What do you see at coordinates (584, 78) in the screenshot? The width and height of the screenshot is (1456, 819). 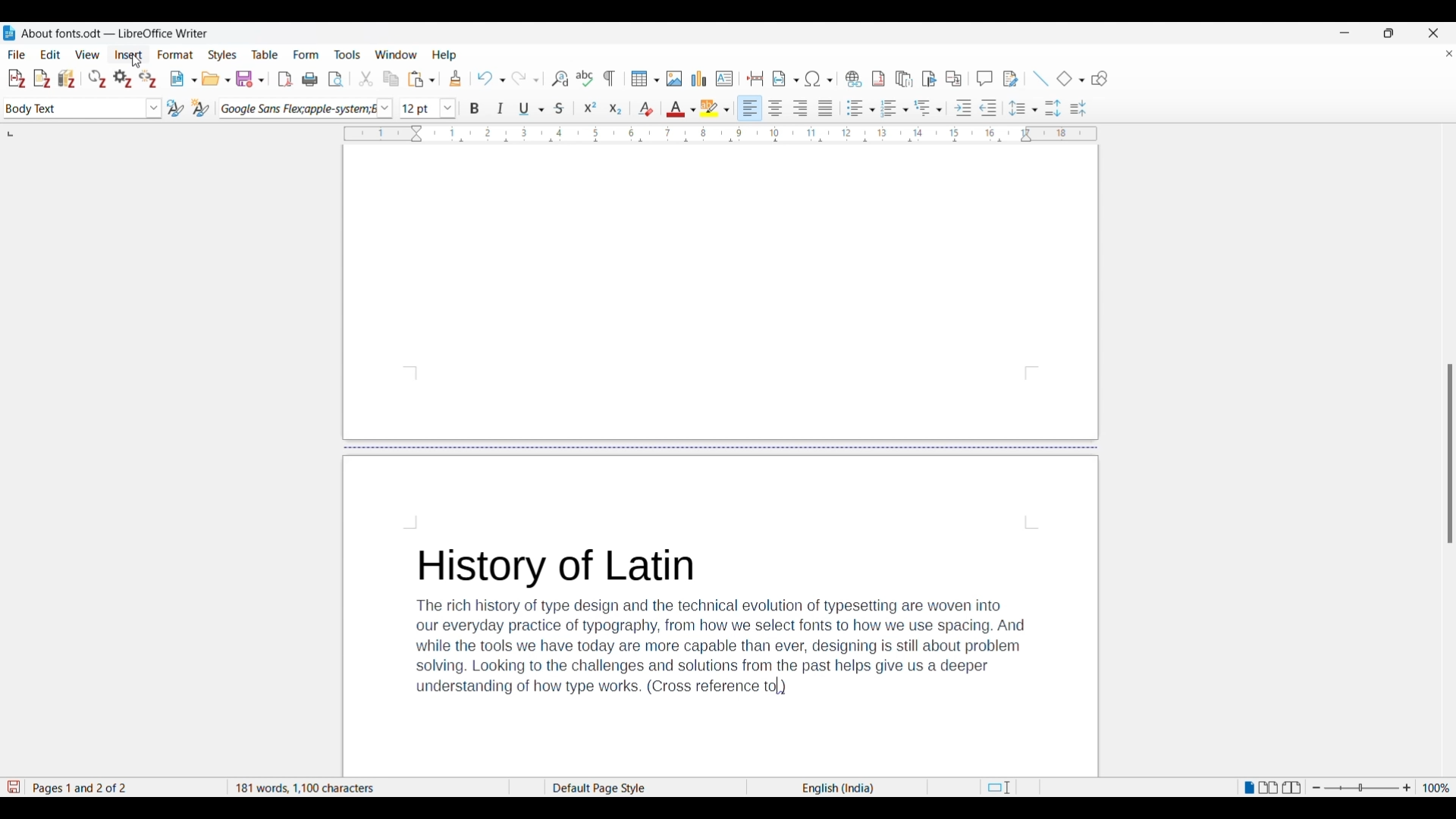 I see `Check spelling` at bounding box center [584, 78].